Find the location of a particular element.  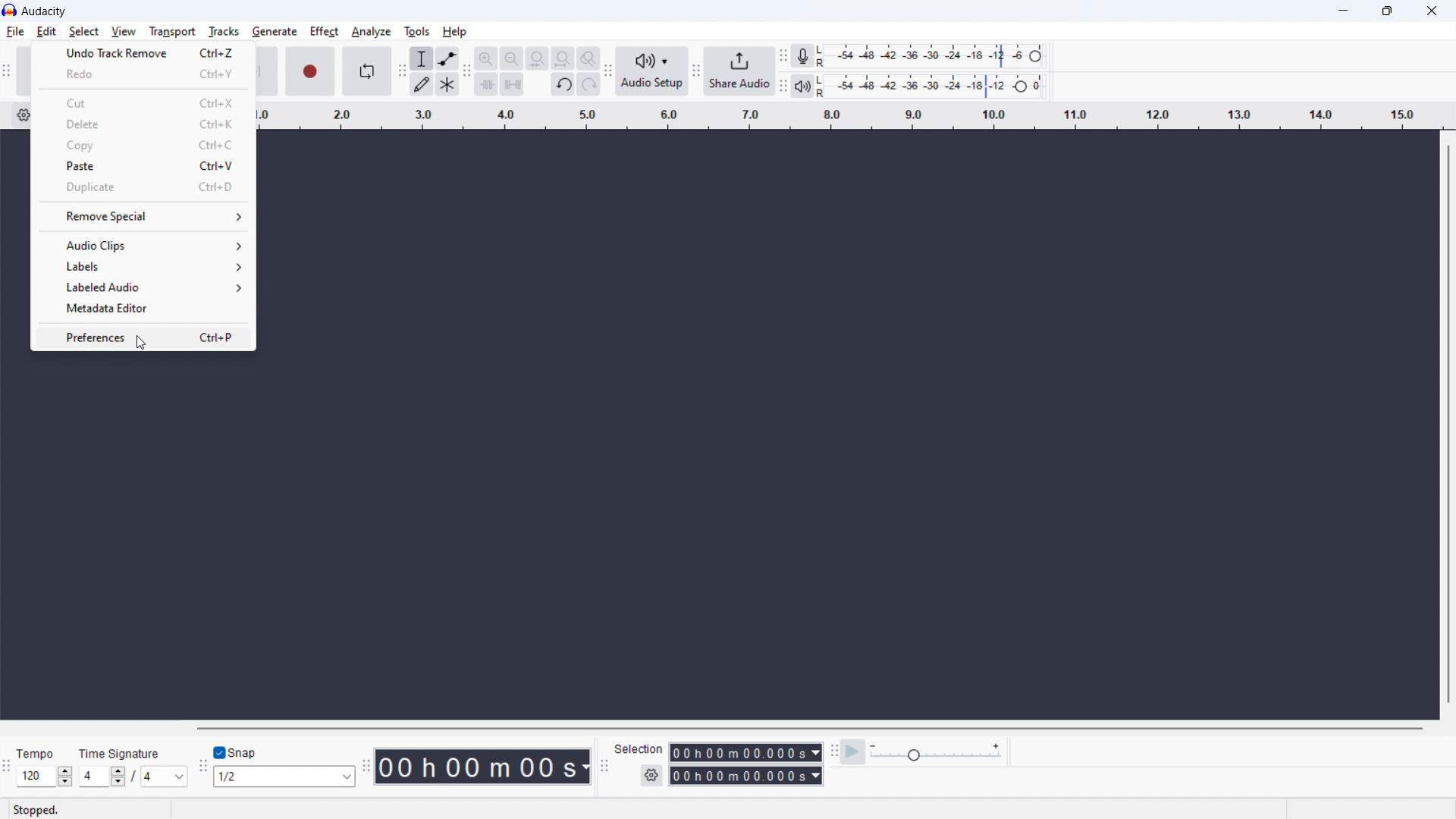

fit selection to width is located at coordinates (537, 58).